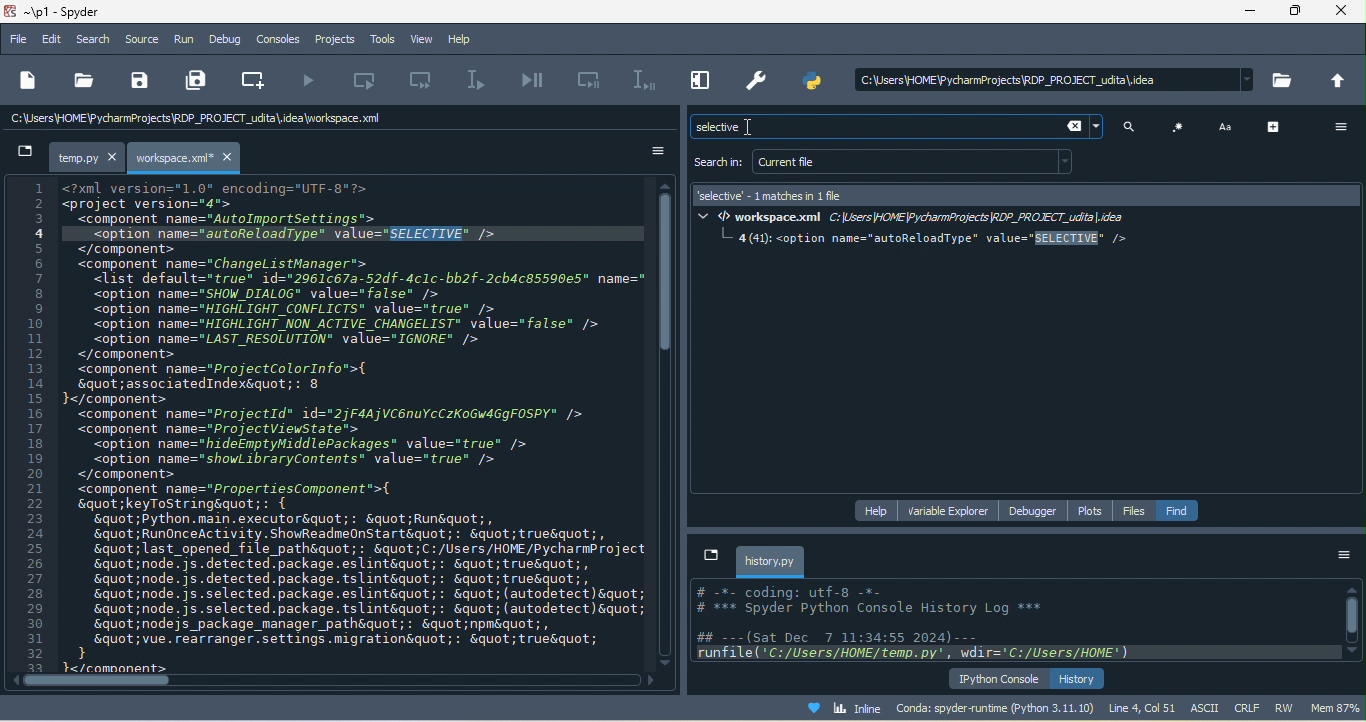  What do you see at coordinates (88, 158) in the screenshot?
I see `temp.py tab` at bounding box center [88, 158].